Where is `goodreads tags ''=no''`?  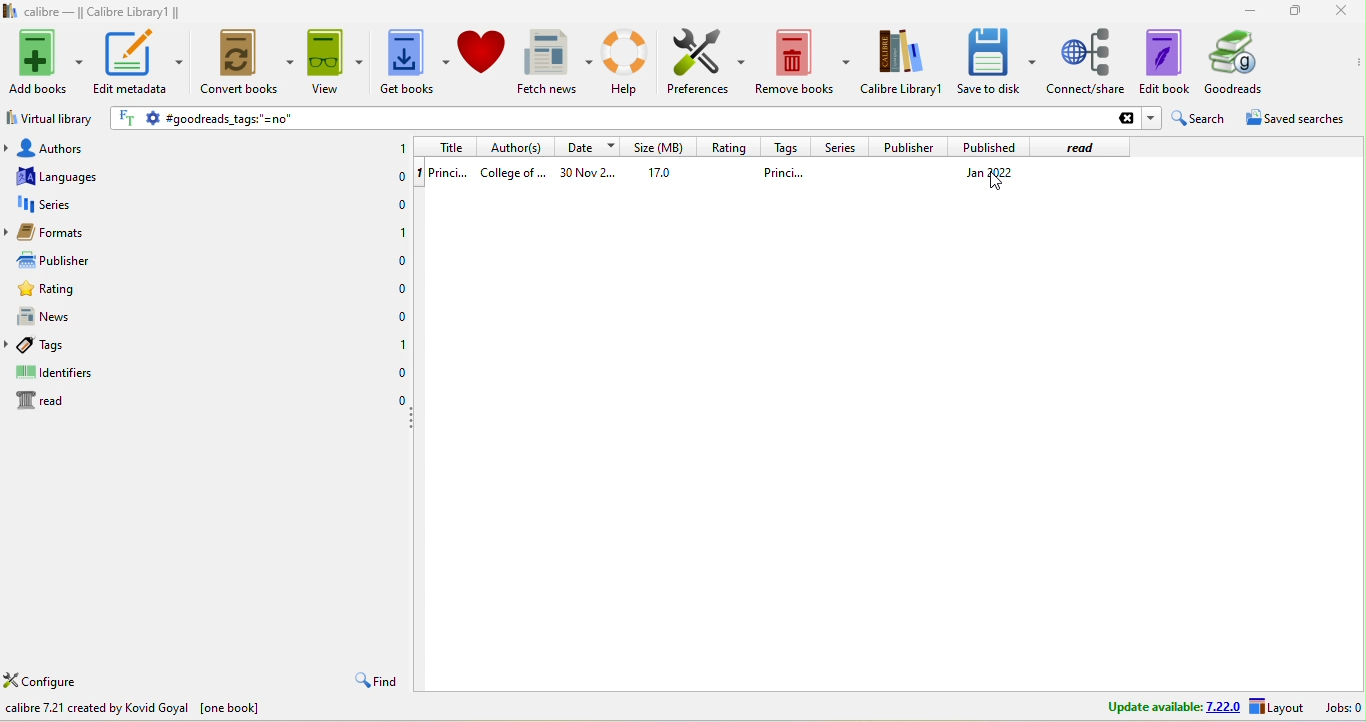 goodreads tags ''=no'' is located at coordinates (652, 118).